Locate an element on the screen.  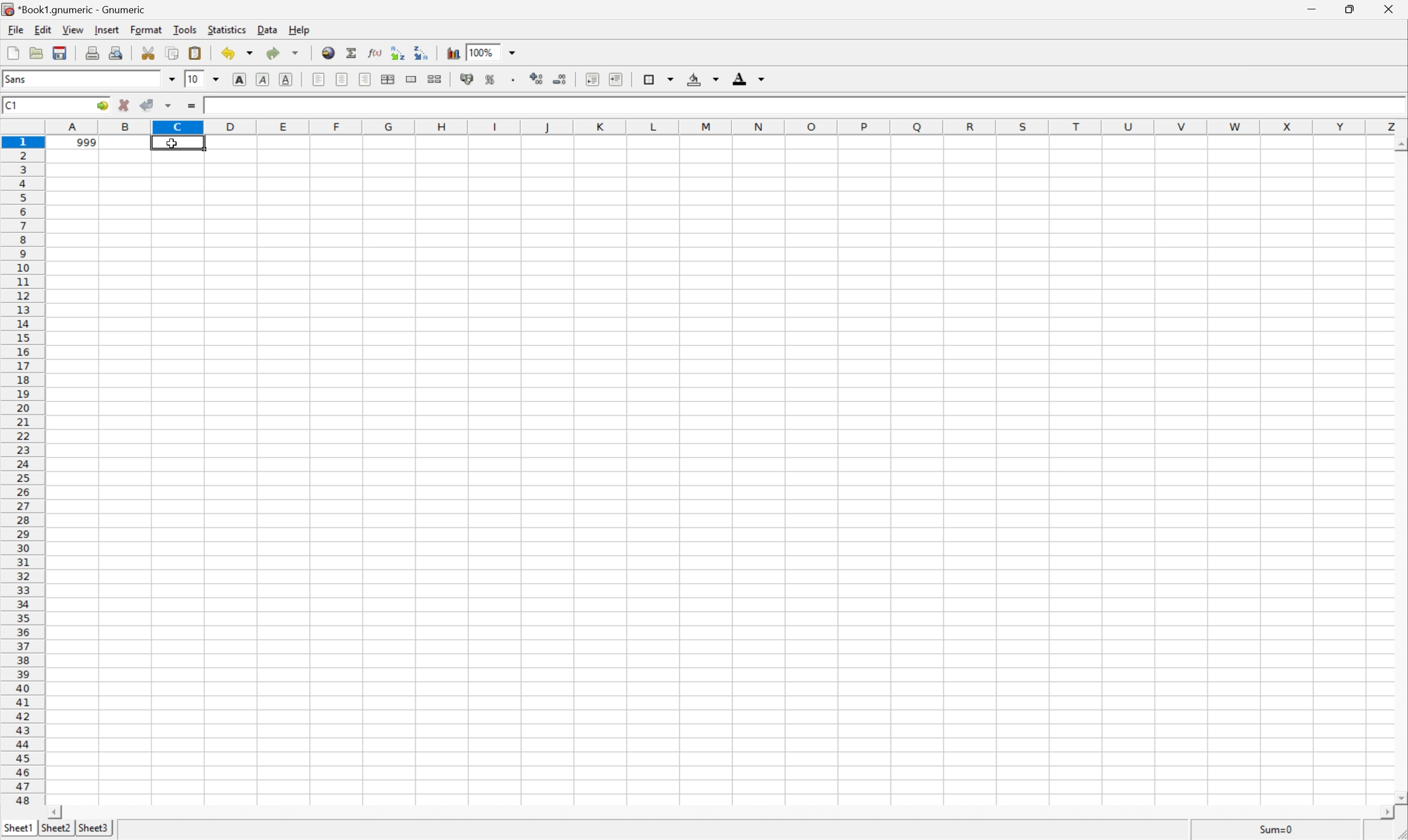
insert hyperlink is located at coordinates (327, 53).